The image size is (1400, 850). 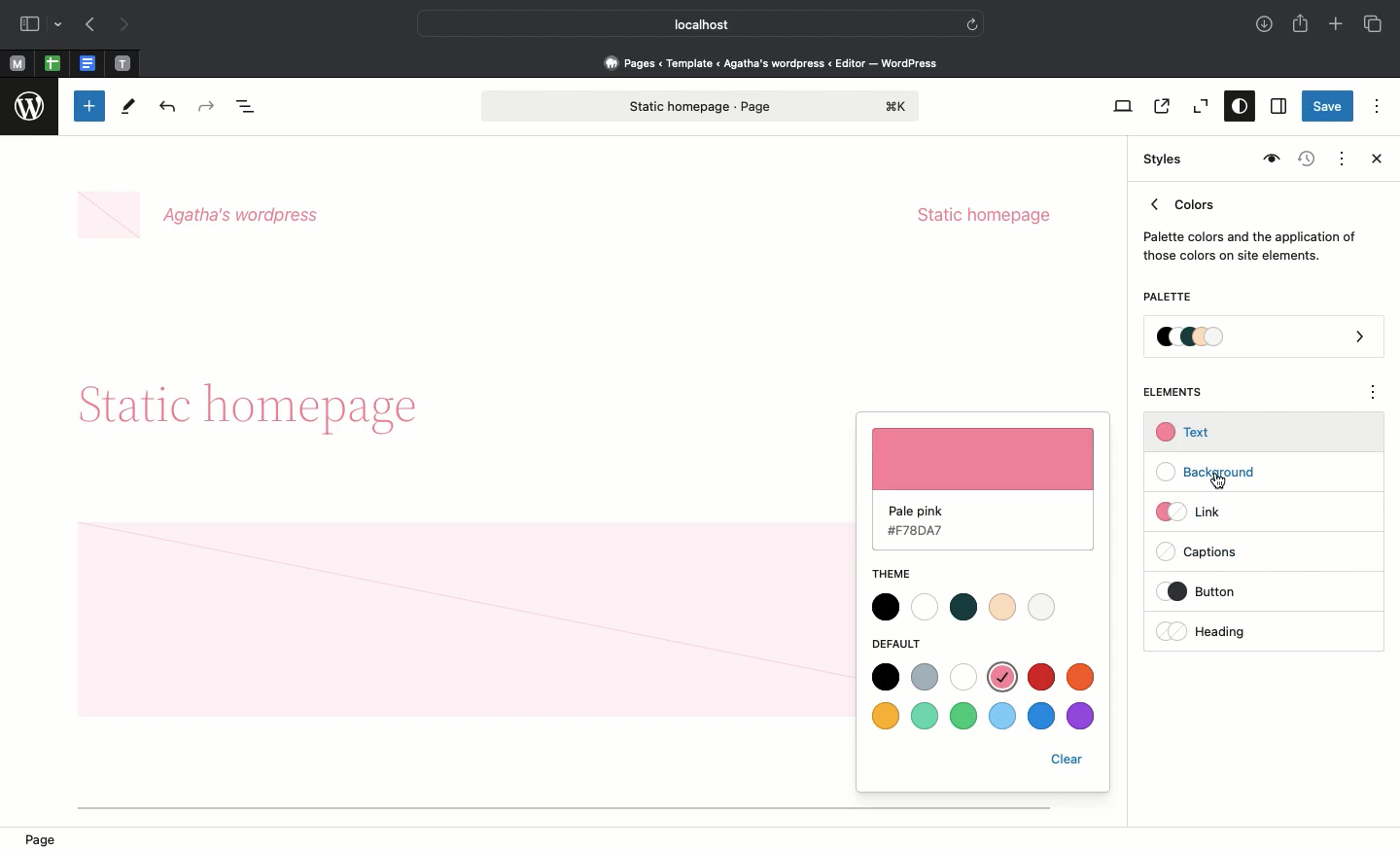 I want to click on Theme, so click(x=905, y=575).